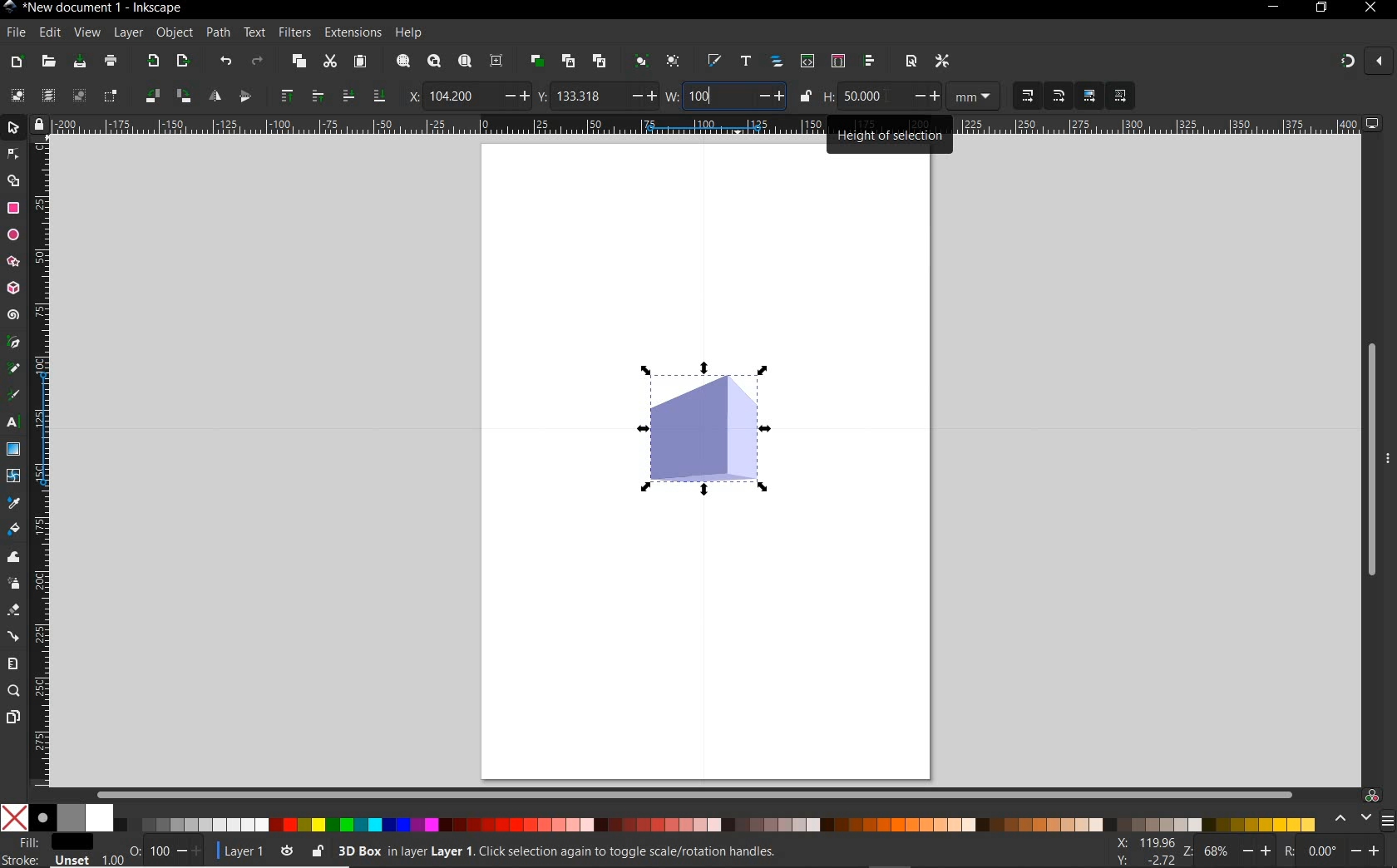  Describe the element at coordinates (1118, 96) in the screenshot. I see `move patterns` at that location.